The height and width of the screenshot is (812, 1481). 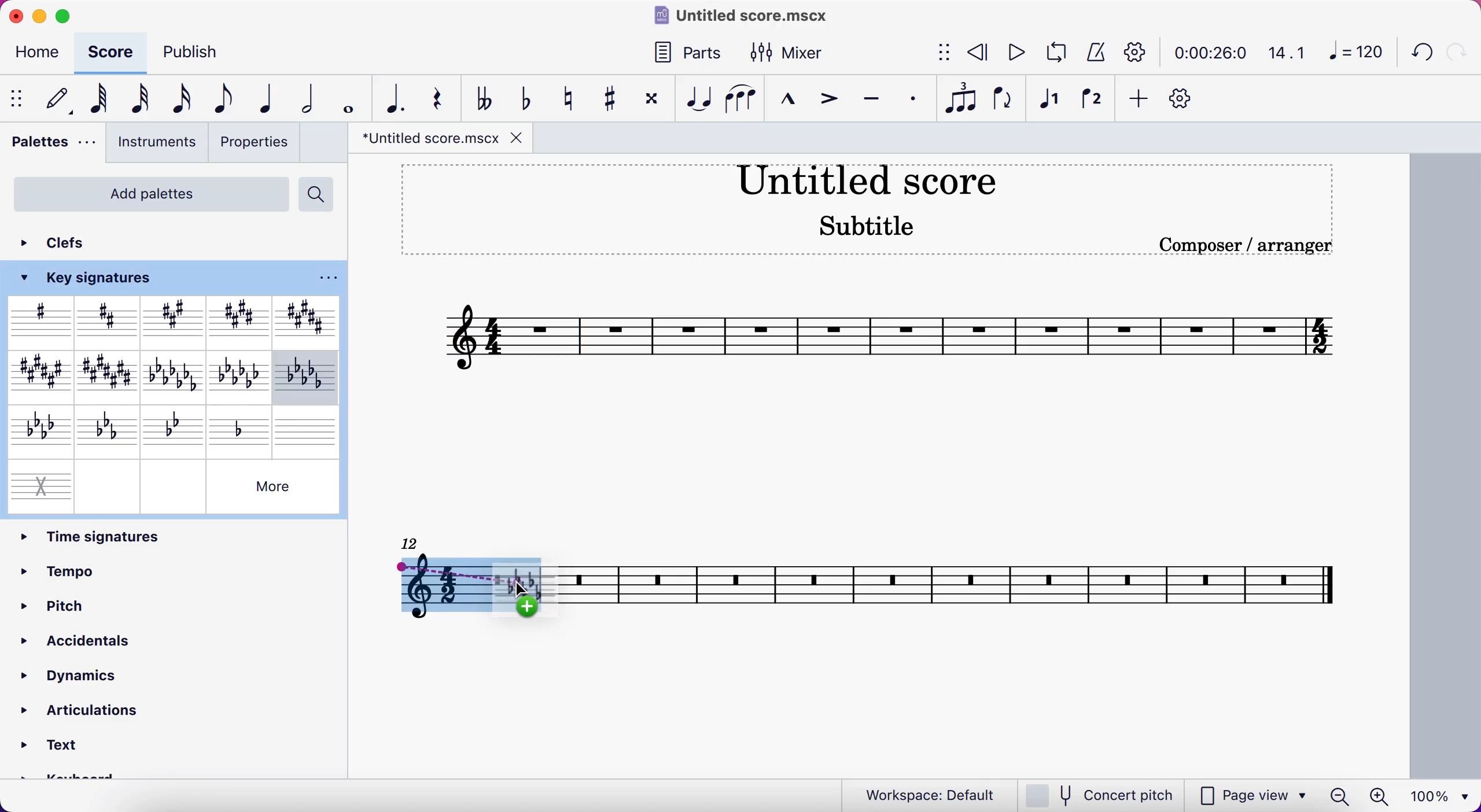 I want to click on toggle sharp, so click(x=607, y=101).